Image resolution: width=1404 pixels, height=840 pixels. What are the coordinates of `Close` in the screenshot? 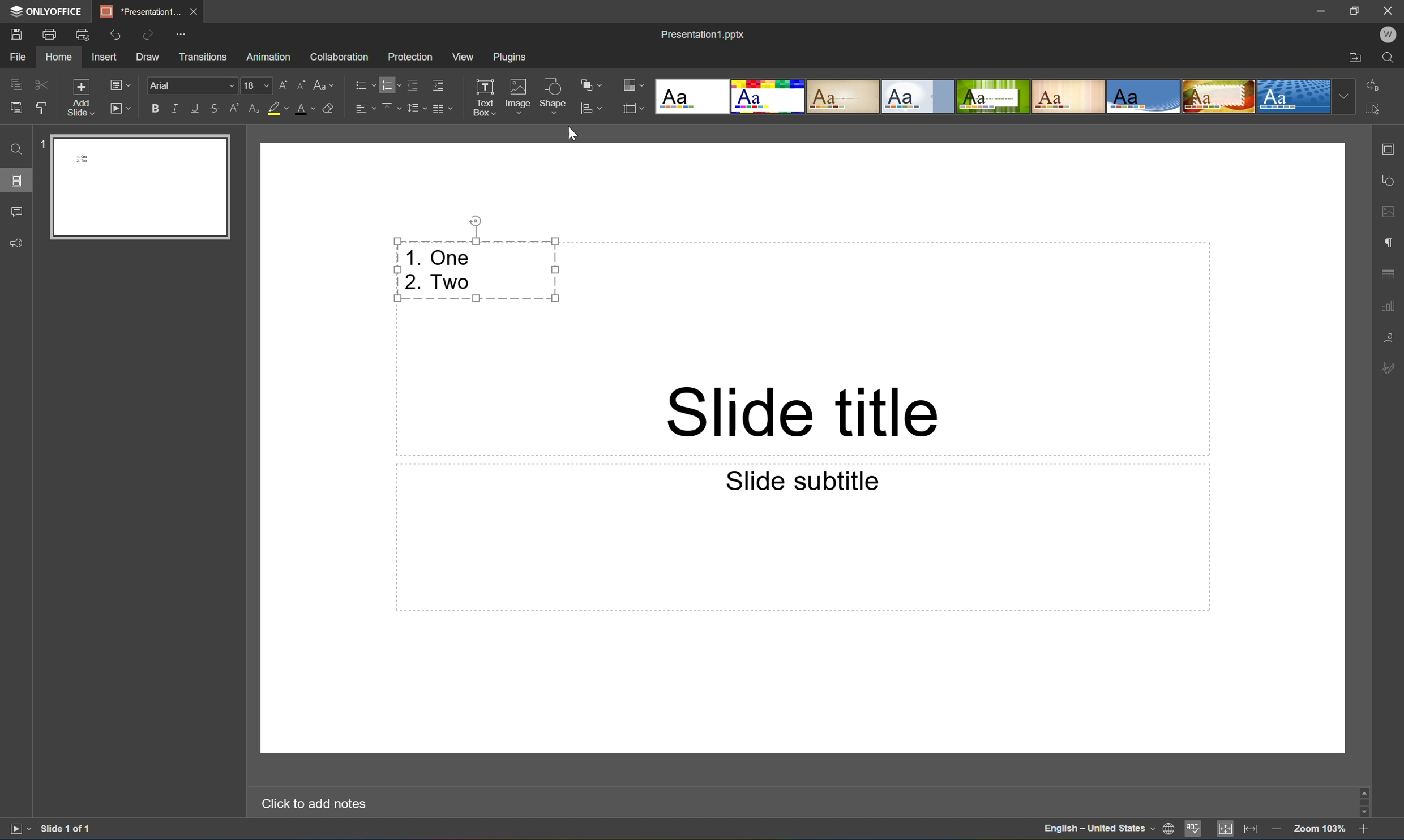 It's located at (1391, 10).